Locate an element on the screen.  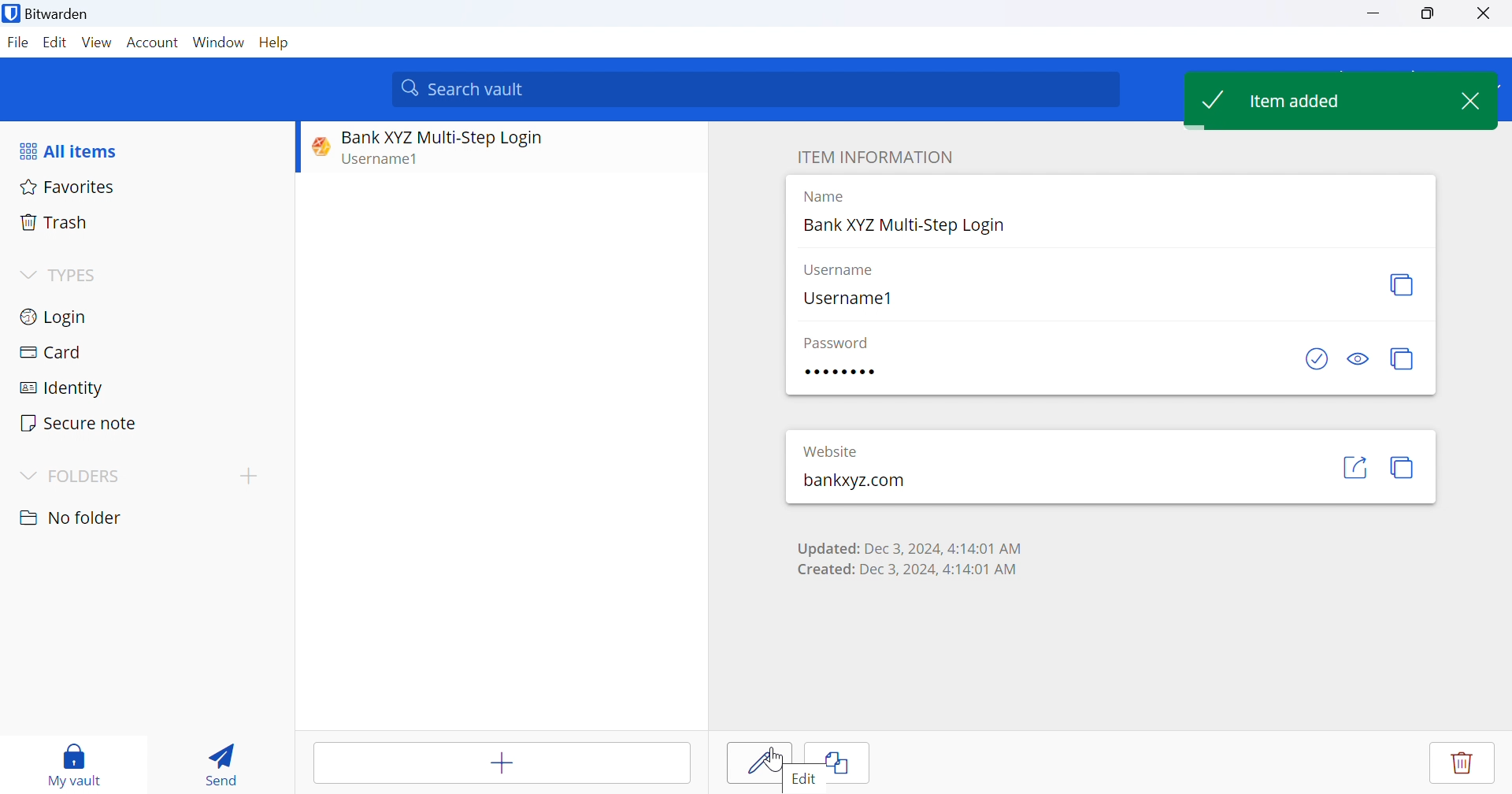
Window is located at coordinates (218, 42).